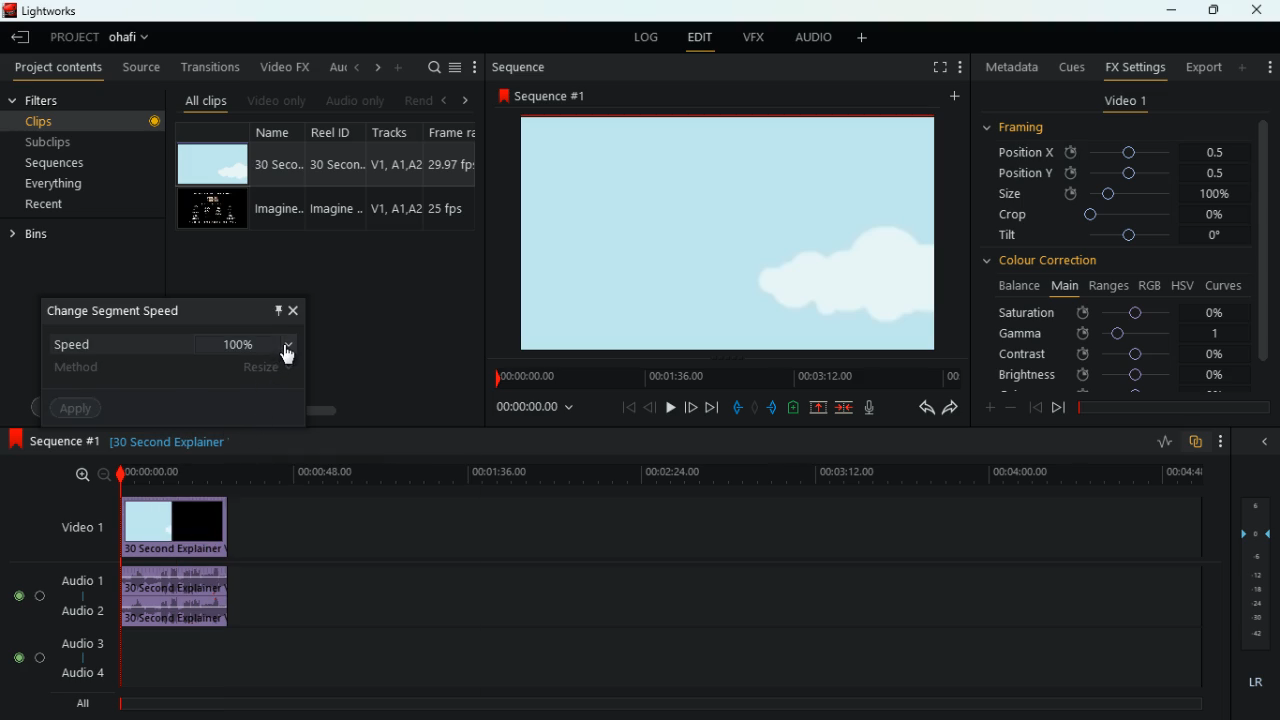 The height and width of the screenshot is (720, 1280). Describe the element at coordinates (56, 69) in the screenshot. I see `project contents` at that location.